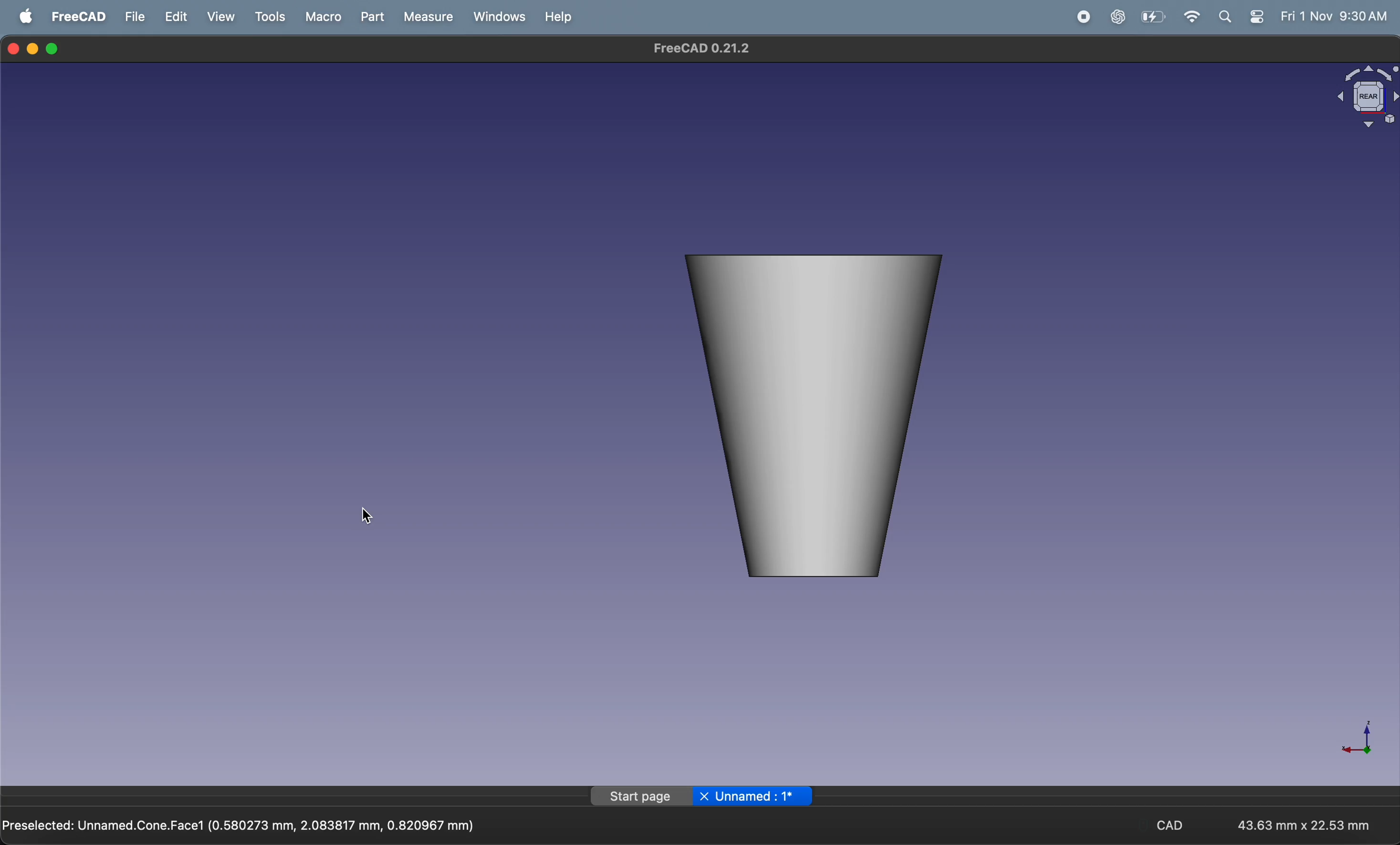  Describe the element at coordinates (368, 17) in the screenshot. I see `part` at that location.